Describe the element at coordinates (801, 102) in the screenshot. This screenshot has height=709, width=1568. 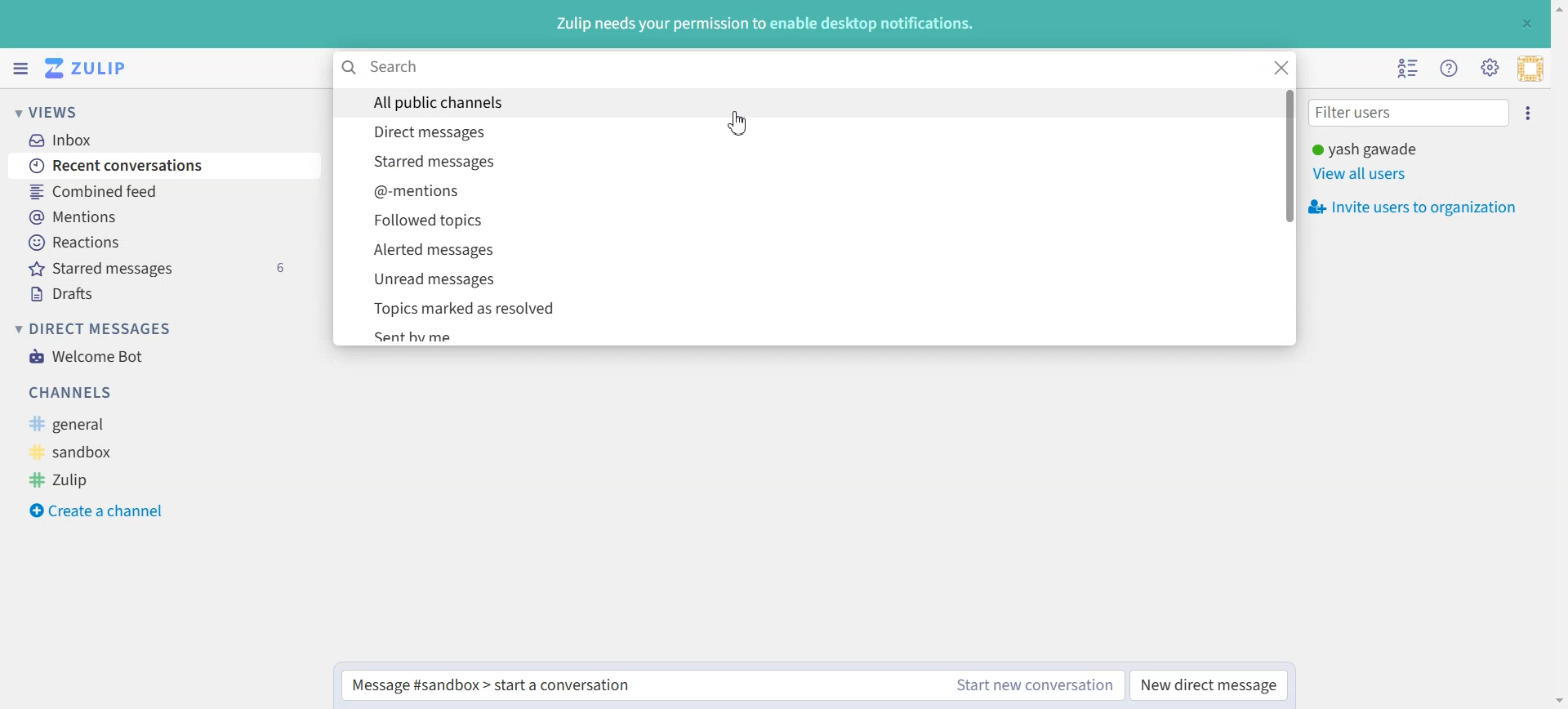
I see `All public channels` at that location.